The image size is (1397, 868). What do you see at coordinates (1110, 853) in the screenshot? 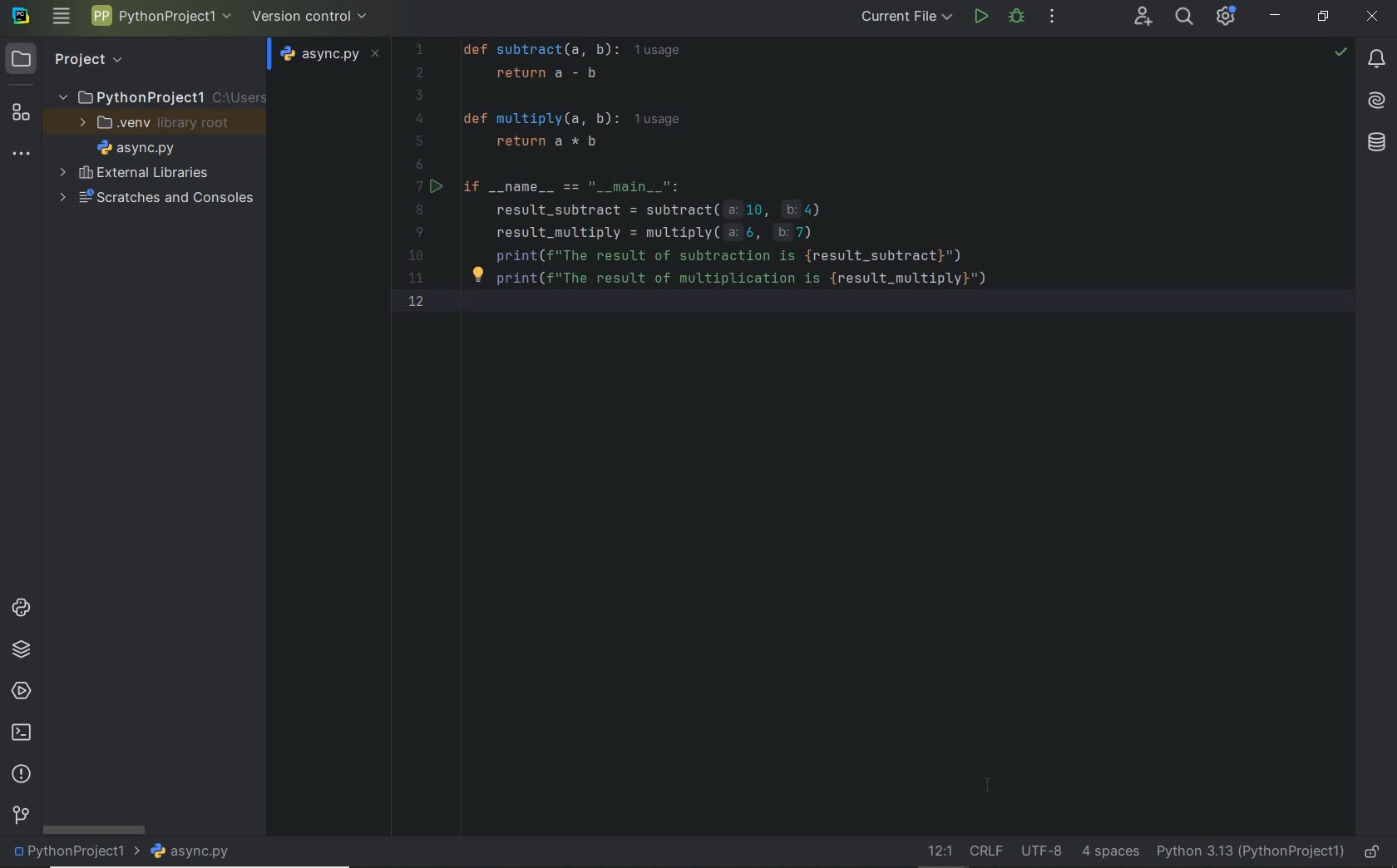
I see `Indent` at bounding box center [1110, 853].